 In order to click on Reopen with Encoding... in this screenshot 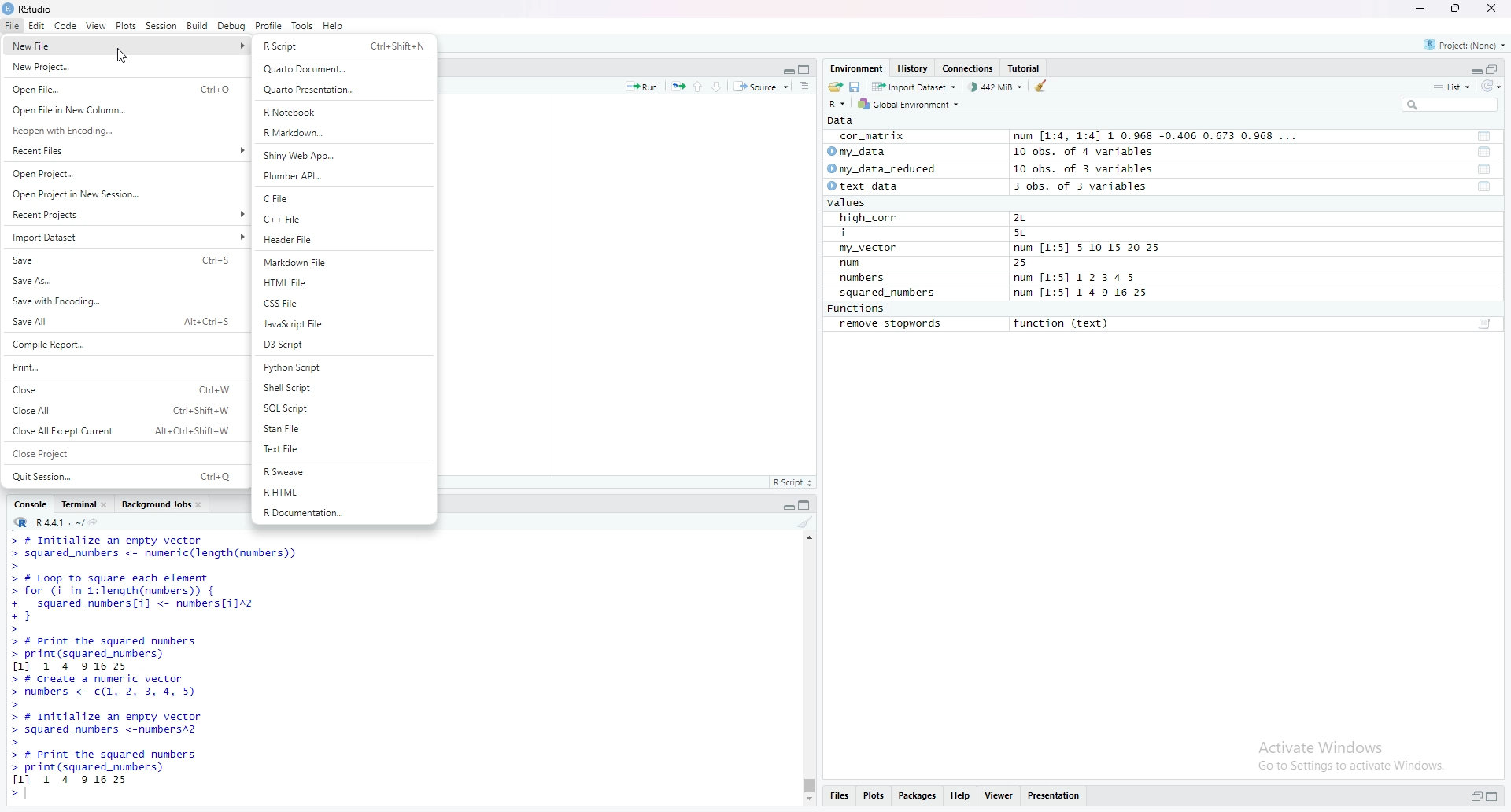, I will do `click(121, 131)`.